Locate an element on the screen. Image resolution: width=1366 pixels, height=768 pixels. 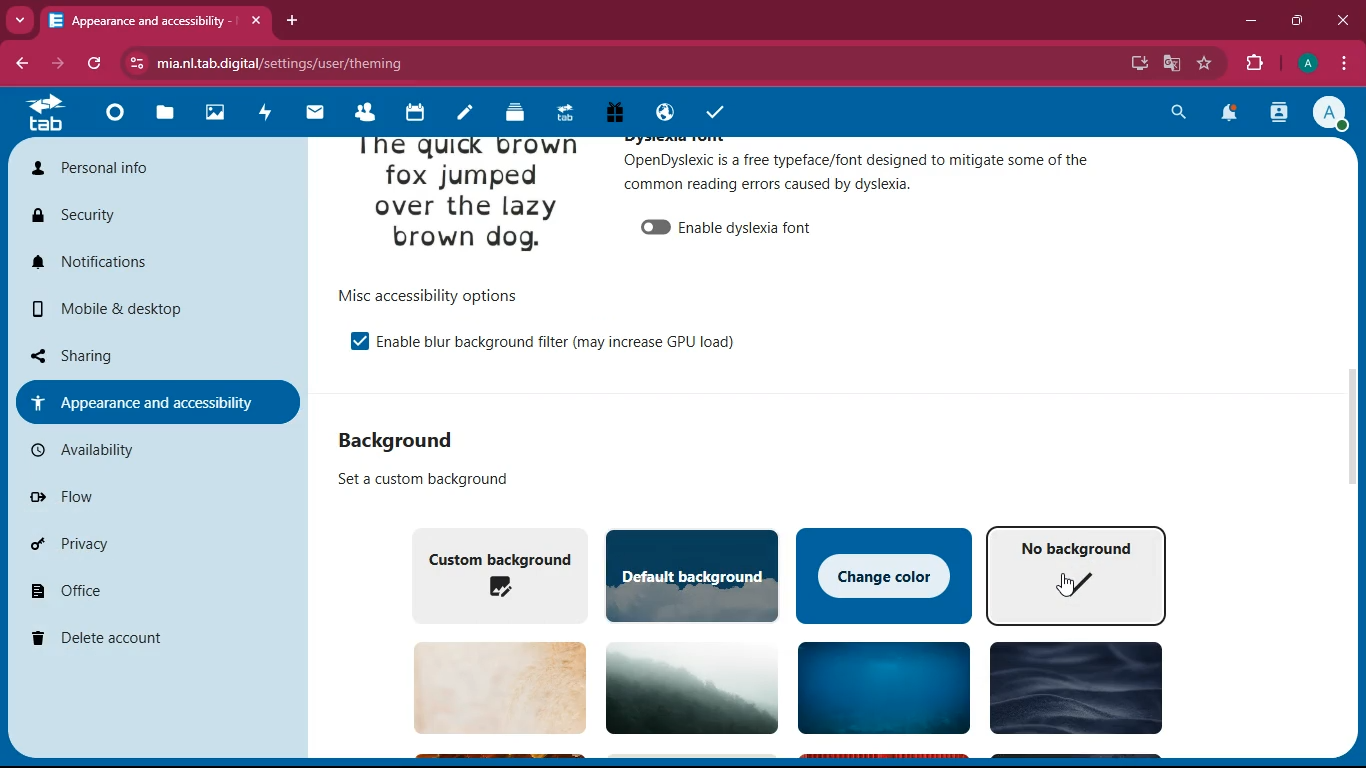
public is located at coordinates (661, 114).